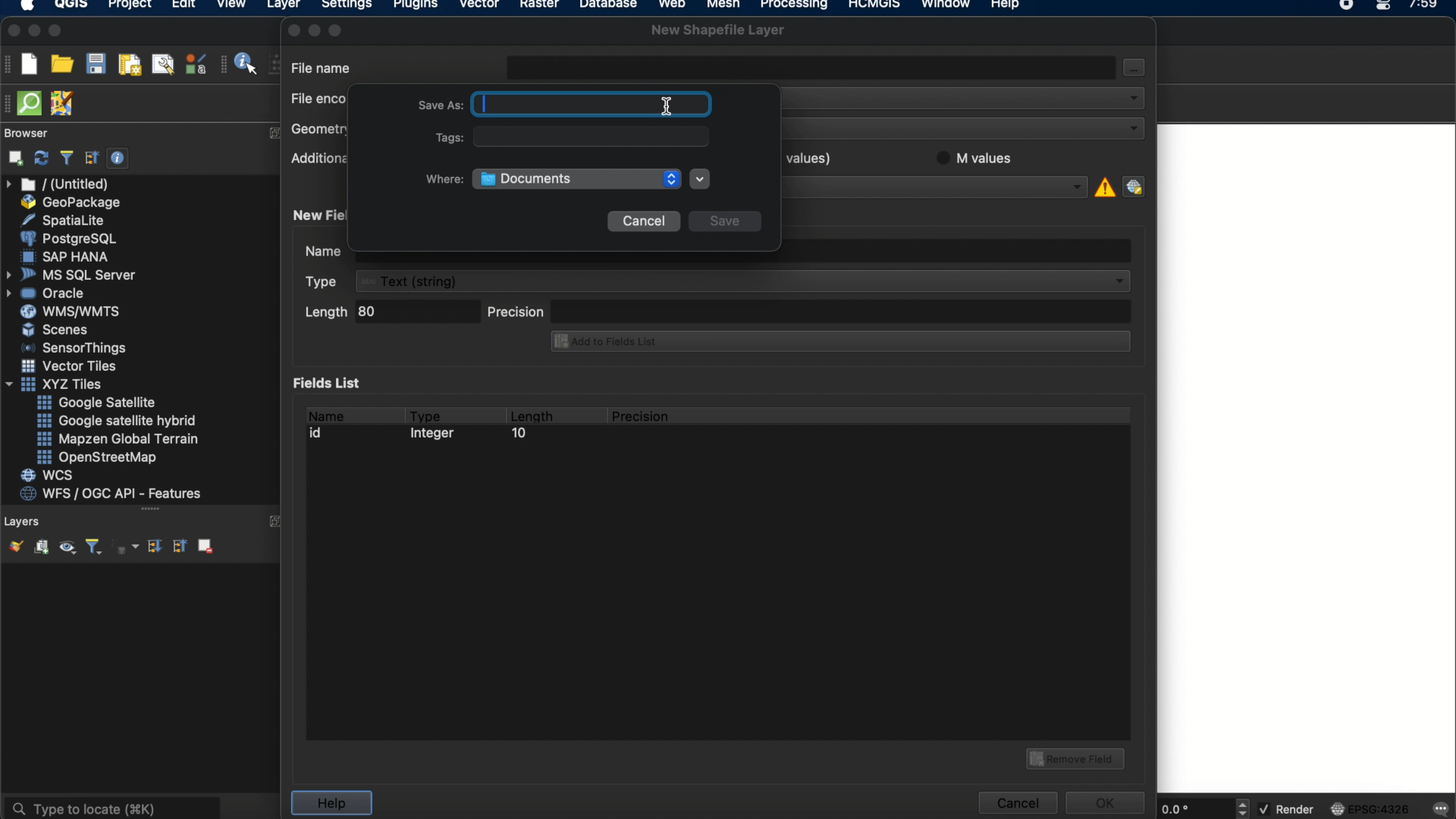 The height and width of the screenshot is (819, 1456). I want to click on was/wmts, so click(72, 312).